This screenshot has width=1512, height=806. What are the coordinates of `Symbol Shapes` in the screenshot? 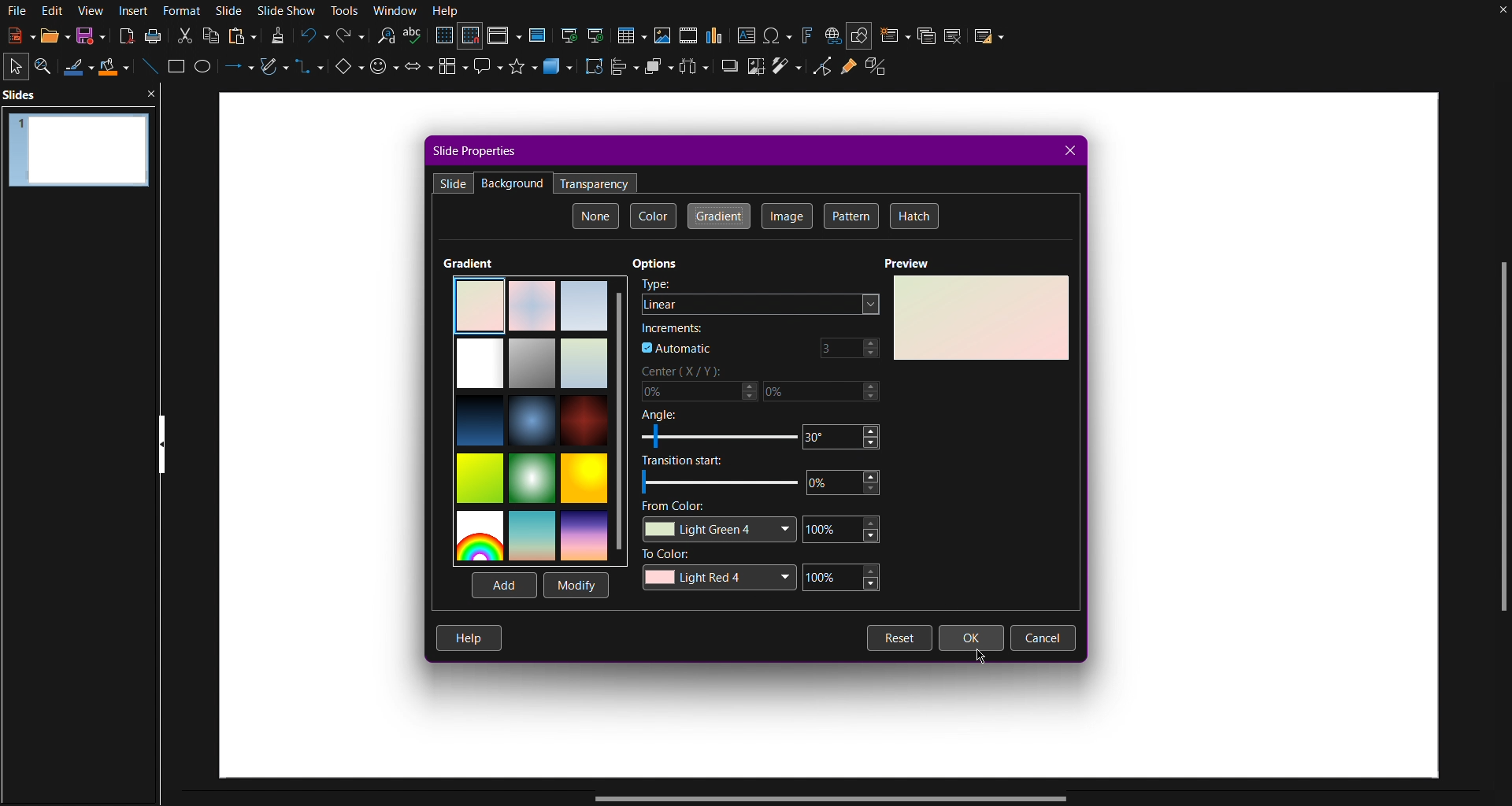 It's located at (384, 72).